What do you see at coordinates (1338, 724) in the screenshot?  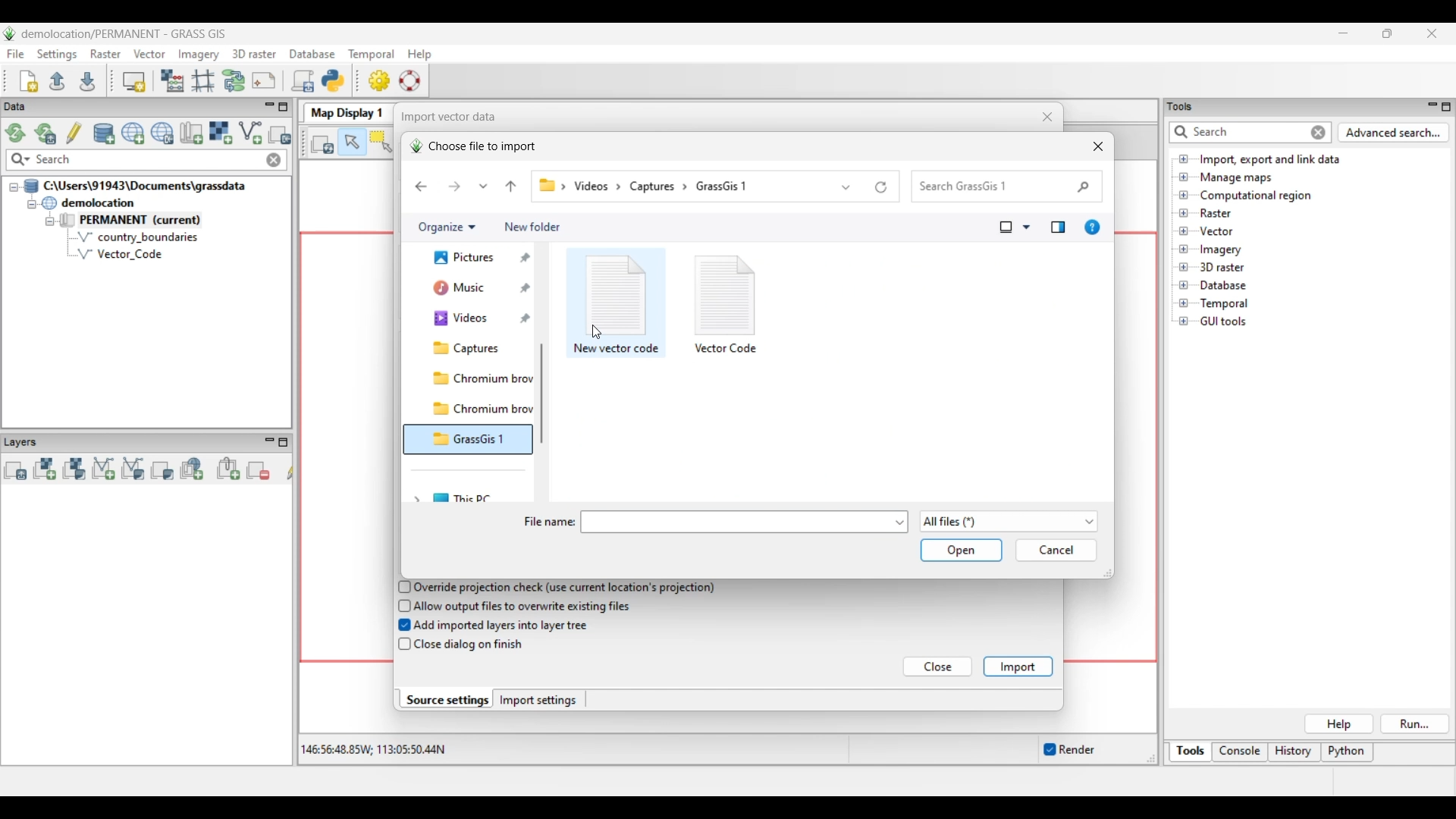 I see `Help` at bounding box center [1338, 724].